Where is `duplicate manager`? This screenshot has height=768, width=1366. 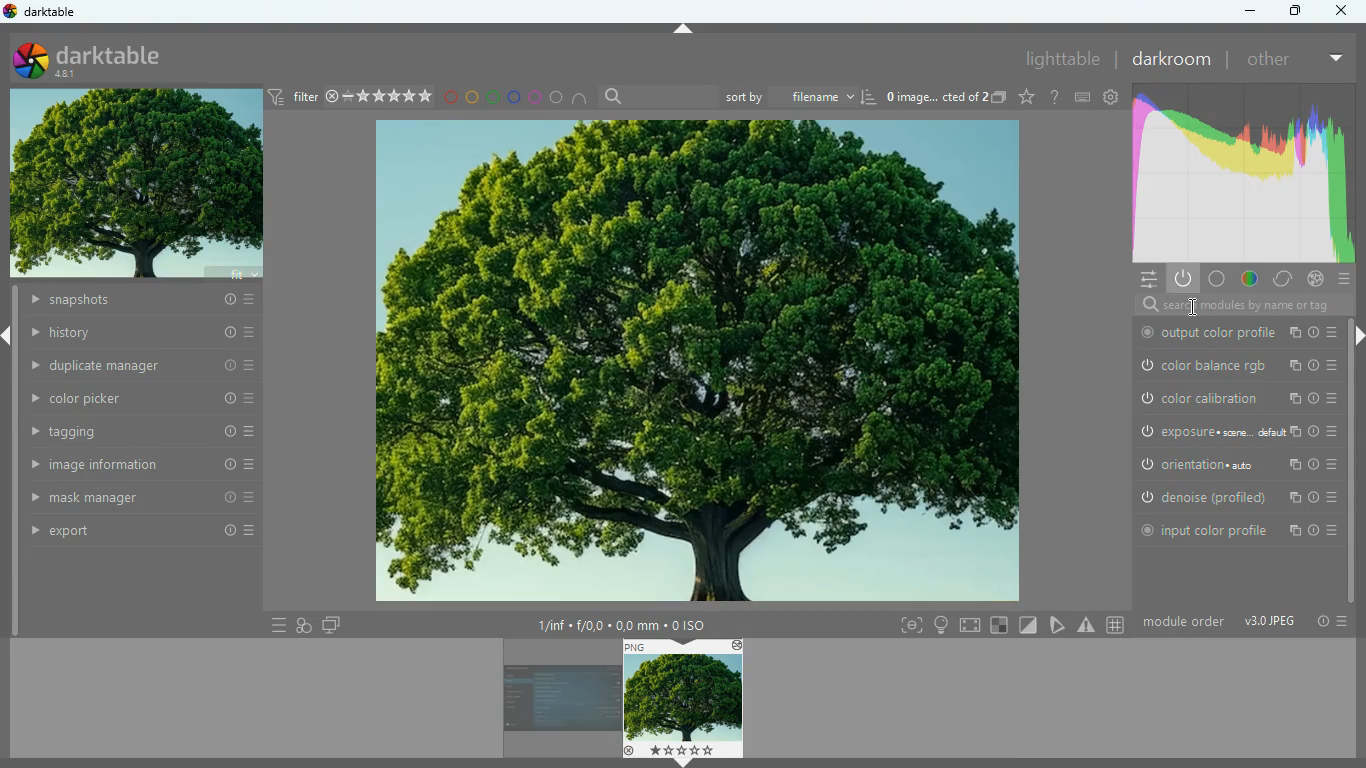 duplicate manager is located at coordinates (141, 365).